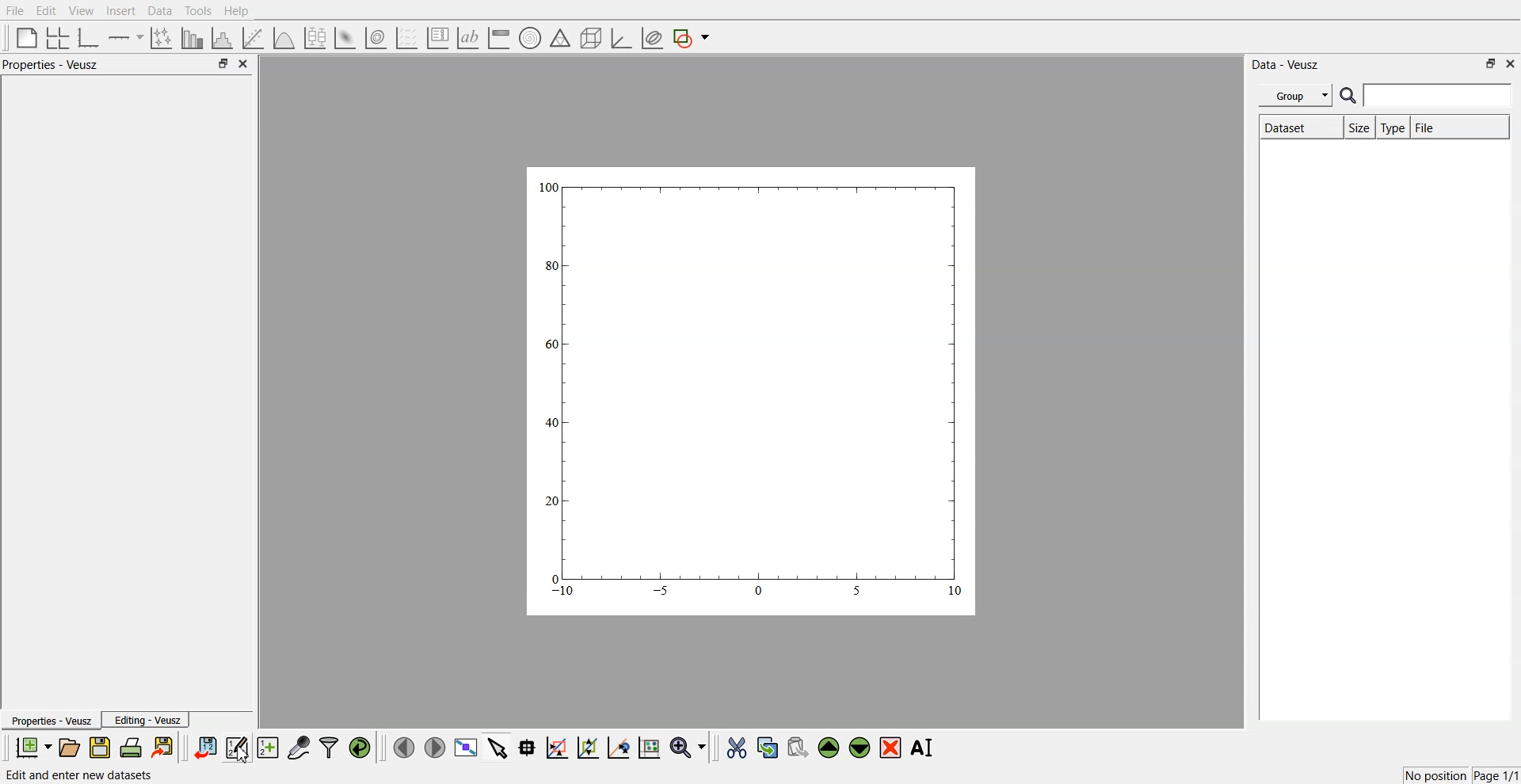 The image size is (1521, 784). Describe the element at coordinates (830, 748) in the screenshot. I see `move the selected widgets up` at that location.